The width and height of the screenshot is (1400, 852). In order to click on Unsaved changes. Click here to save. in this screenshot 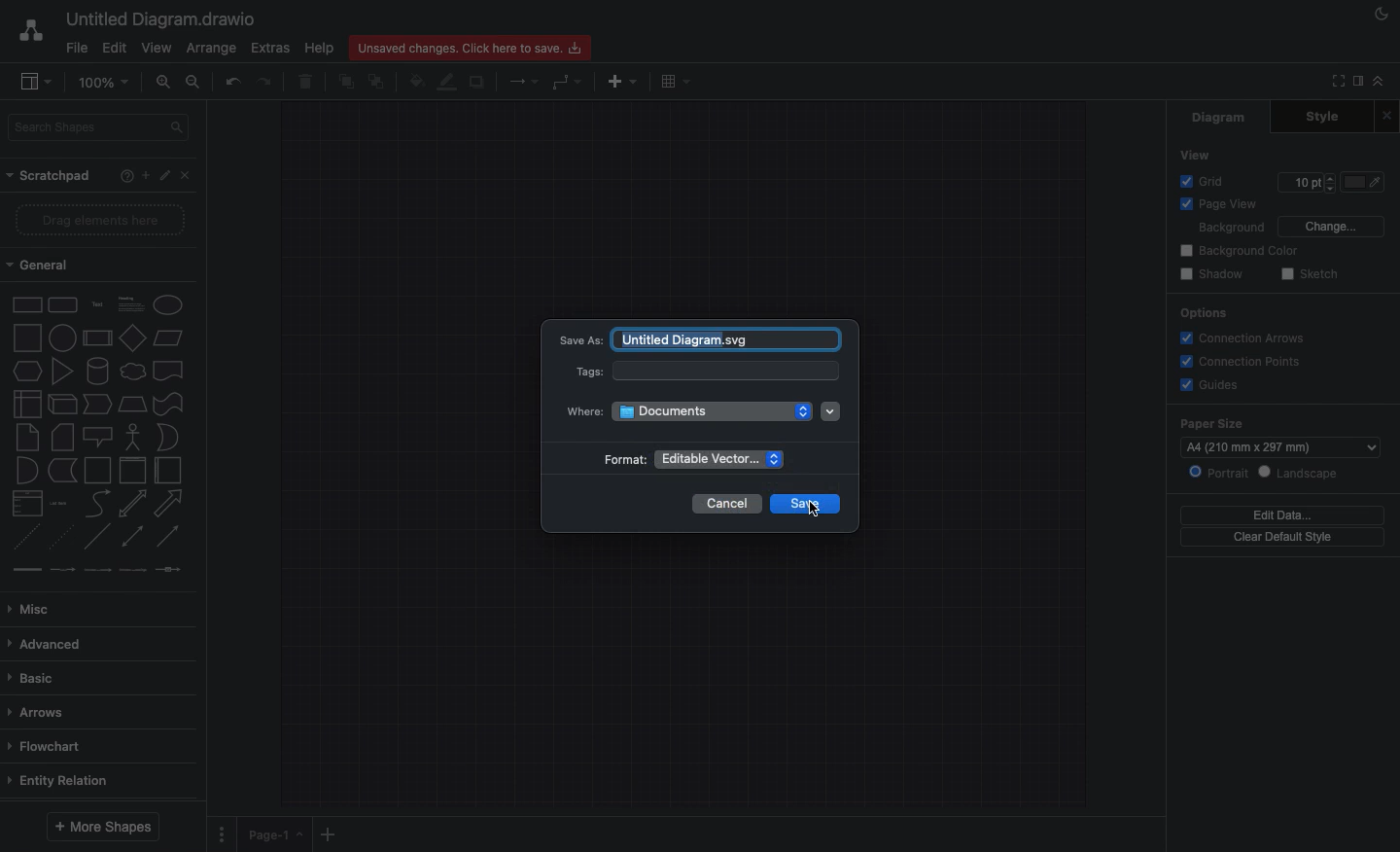, I will do `click(470, 47)`.